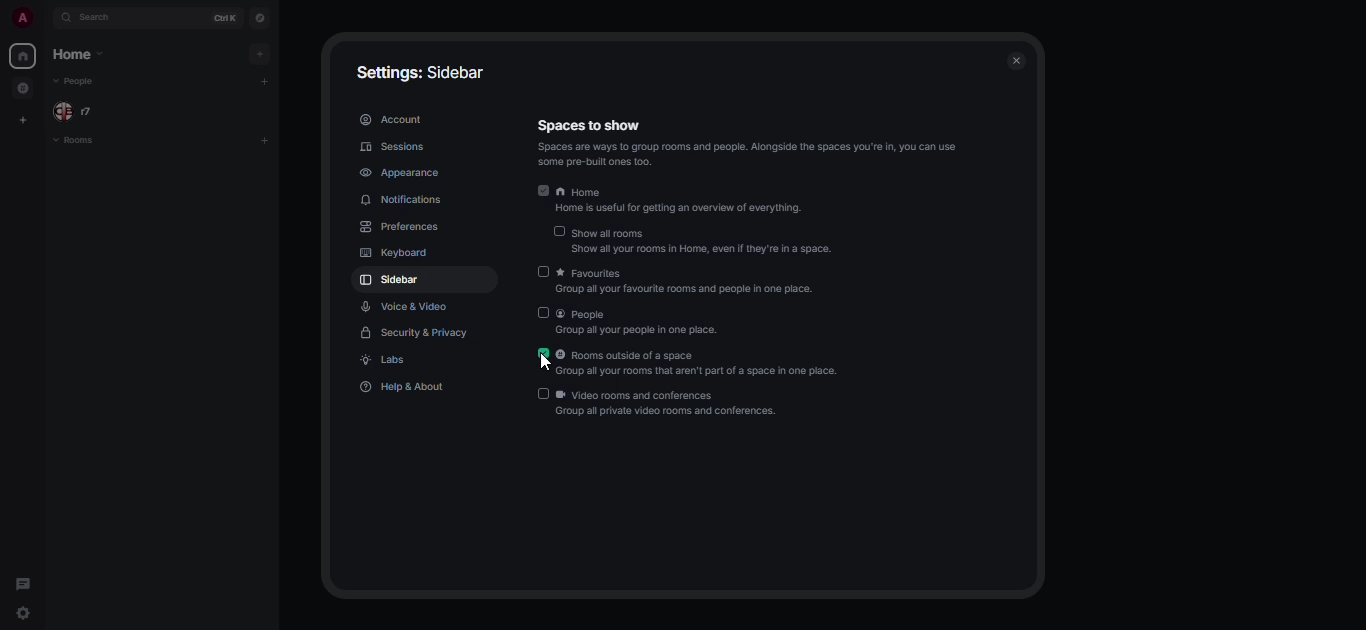  Describe the element at coordinates (541, 396) in the screenshot. I see `disabled` at that location.